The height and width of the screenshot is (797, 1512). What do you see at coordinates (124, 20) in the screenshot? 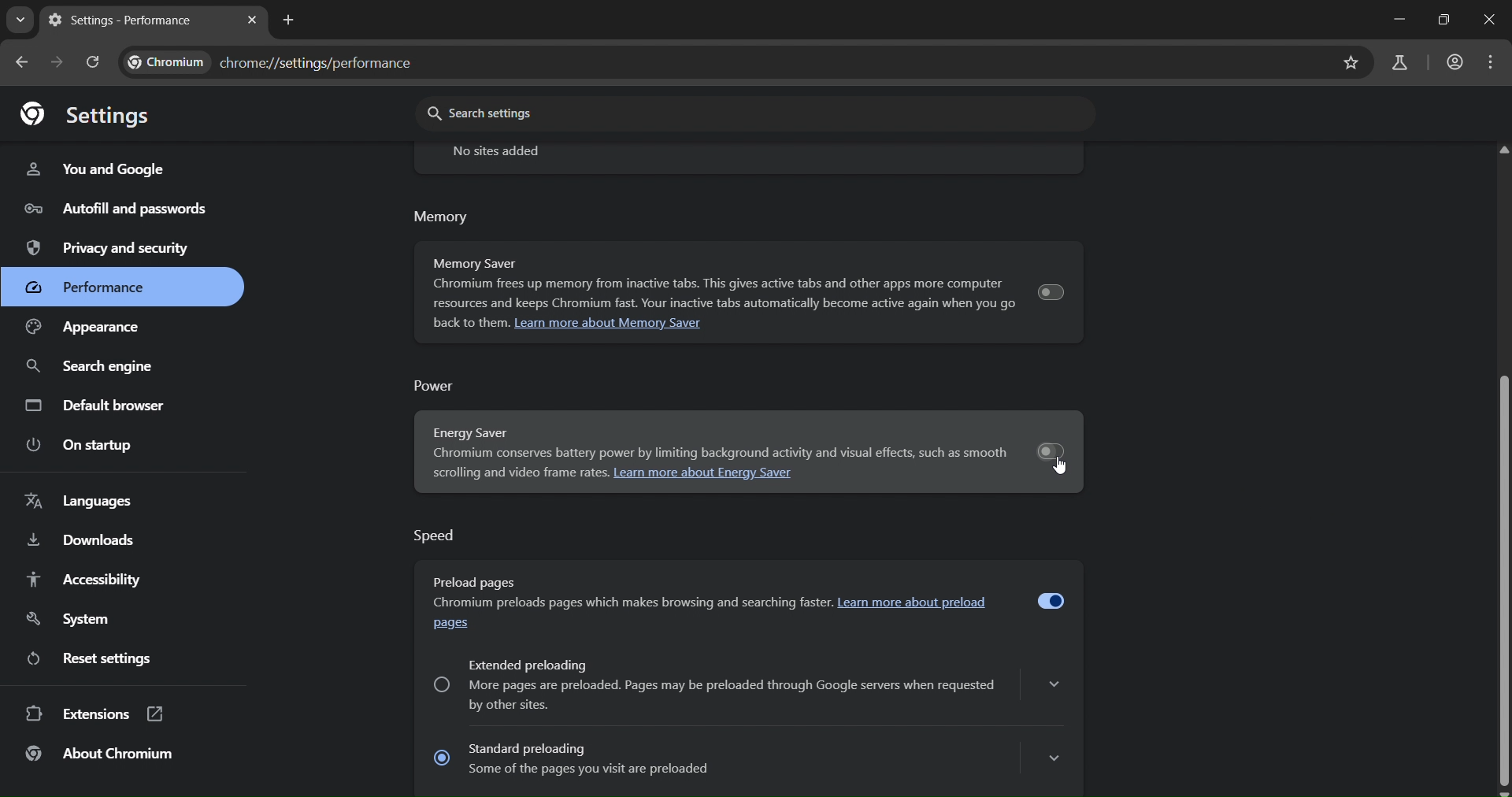
I see `settings - performace` at bounding box center [124, 20].